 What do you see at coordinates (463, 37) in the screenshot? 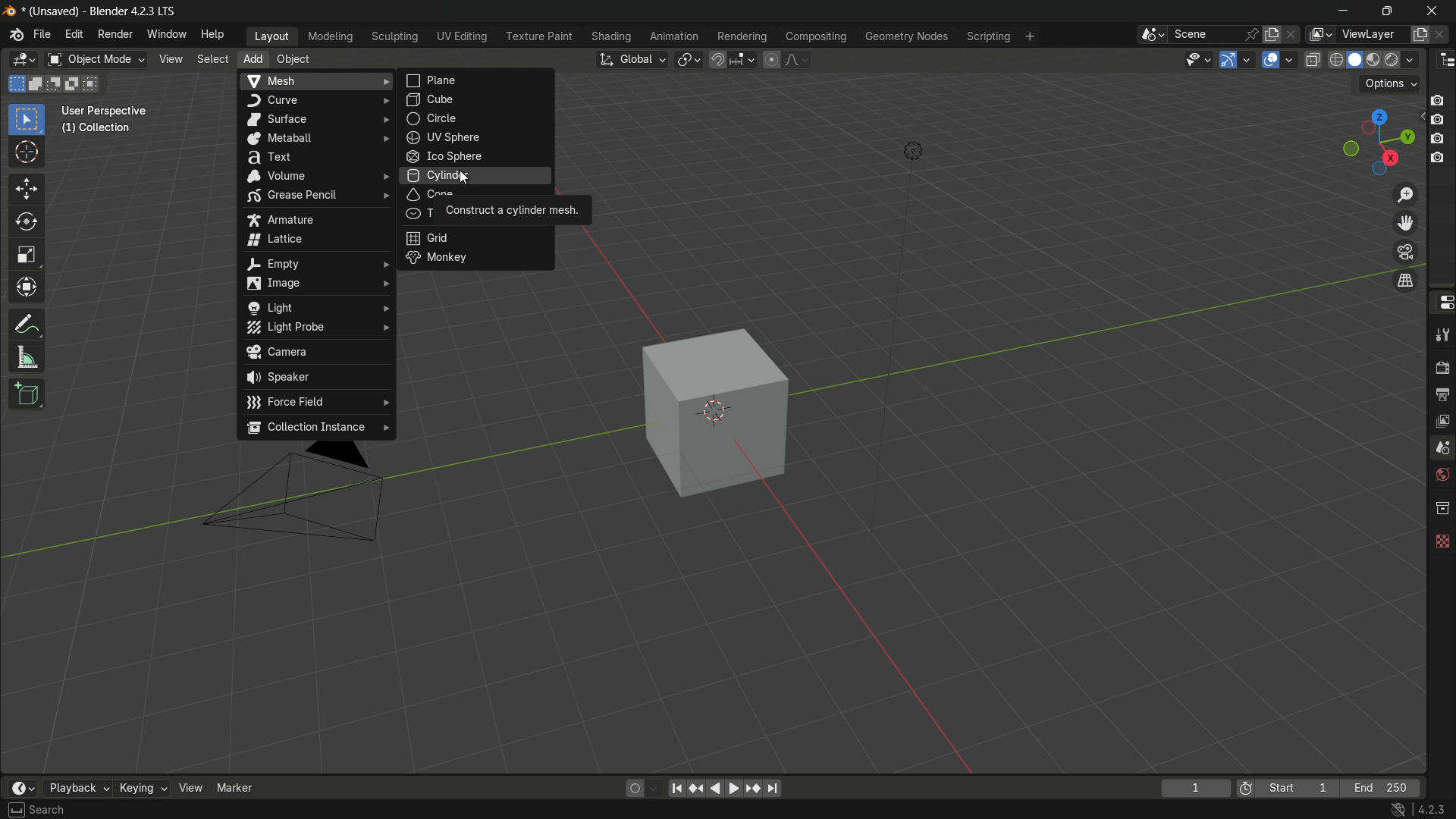
I see `uv editing menu` at bounding box center [463, 37].